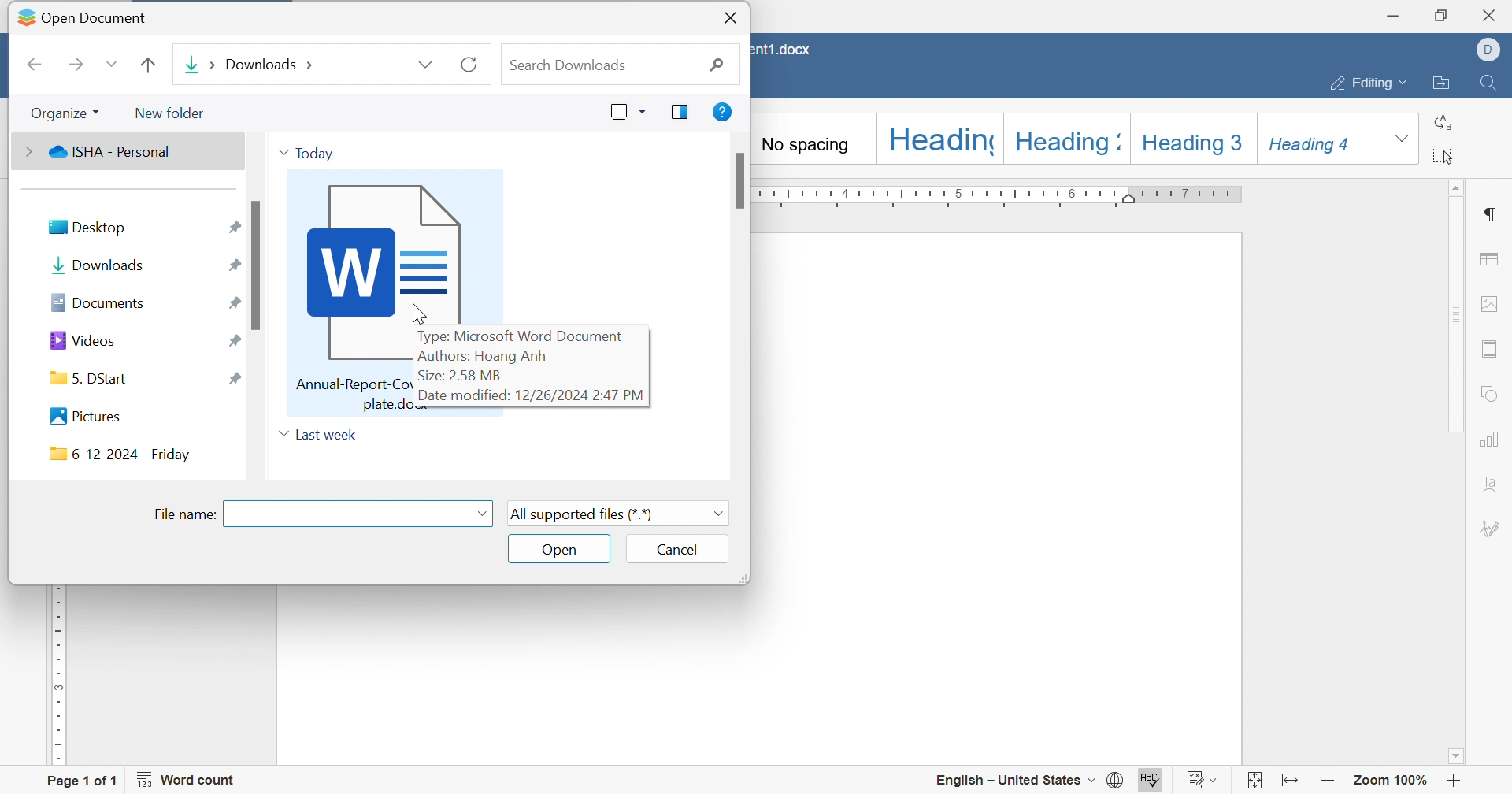 This screenshot has height=794, width=1512. I want to click on search downloads, so click(617, 66).